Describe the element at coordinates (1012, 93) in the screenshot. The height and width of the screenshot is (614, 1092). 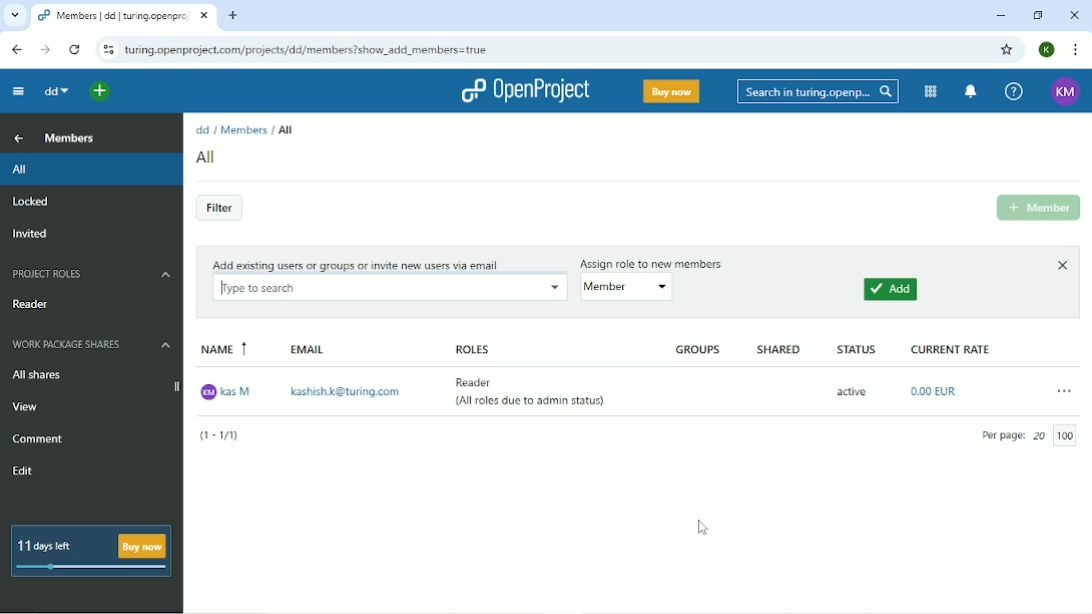
I see `Help` at that location.